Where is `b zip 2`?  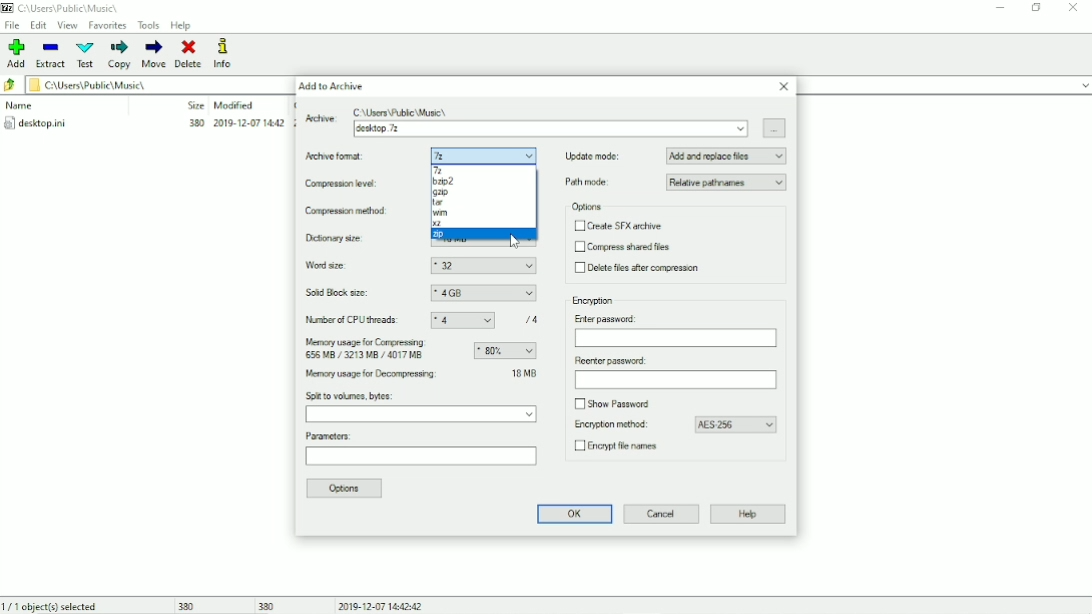
b zip 2 is located at coordinates (444, 183).